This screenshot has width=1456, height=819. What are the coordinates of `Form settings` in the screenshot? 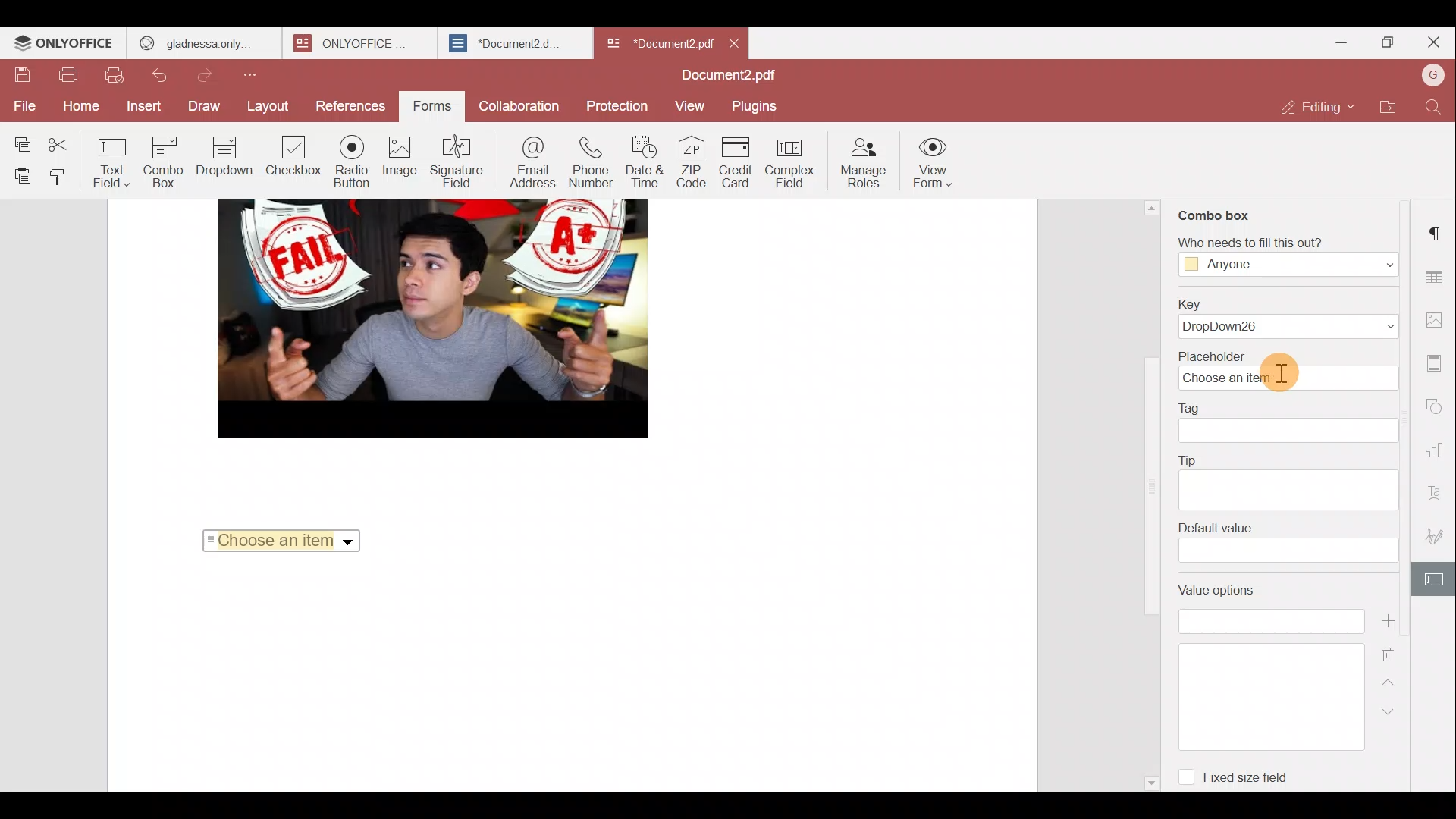 It's located at (1435, 579).